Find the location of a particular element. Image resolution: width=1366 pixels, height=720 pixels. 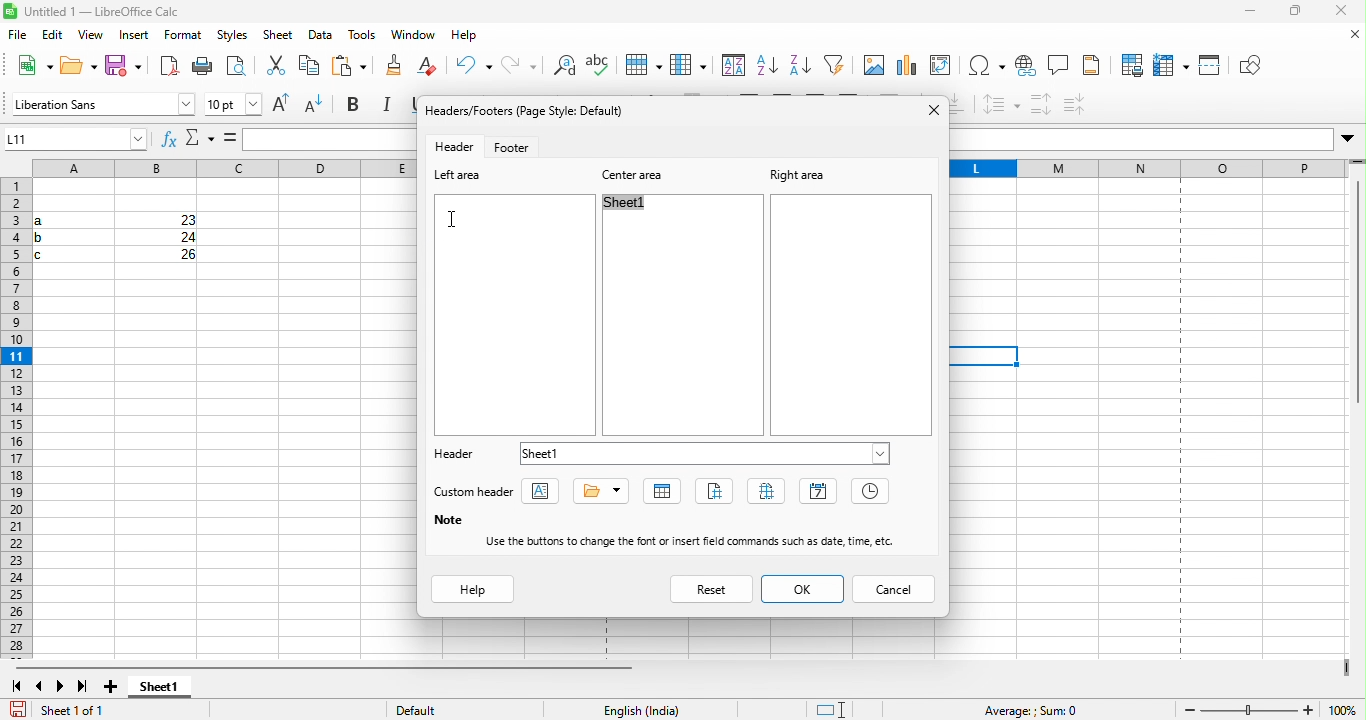

window is located at coordinates (409, 38).